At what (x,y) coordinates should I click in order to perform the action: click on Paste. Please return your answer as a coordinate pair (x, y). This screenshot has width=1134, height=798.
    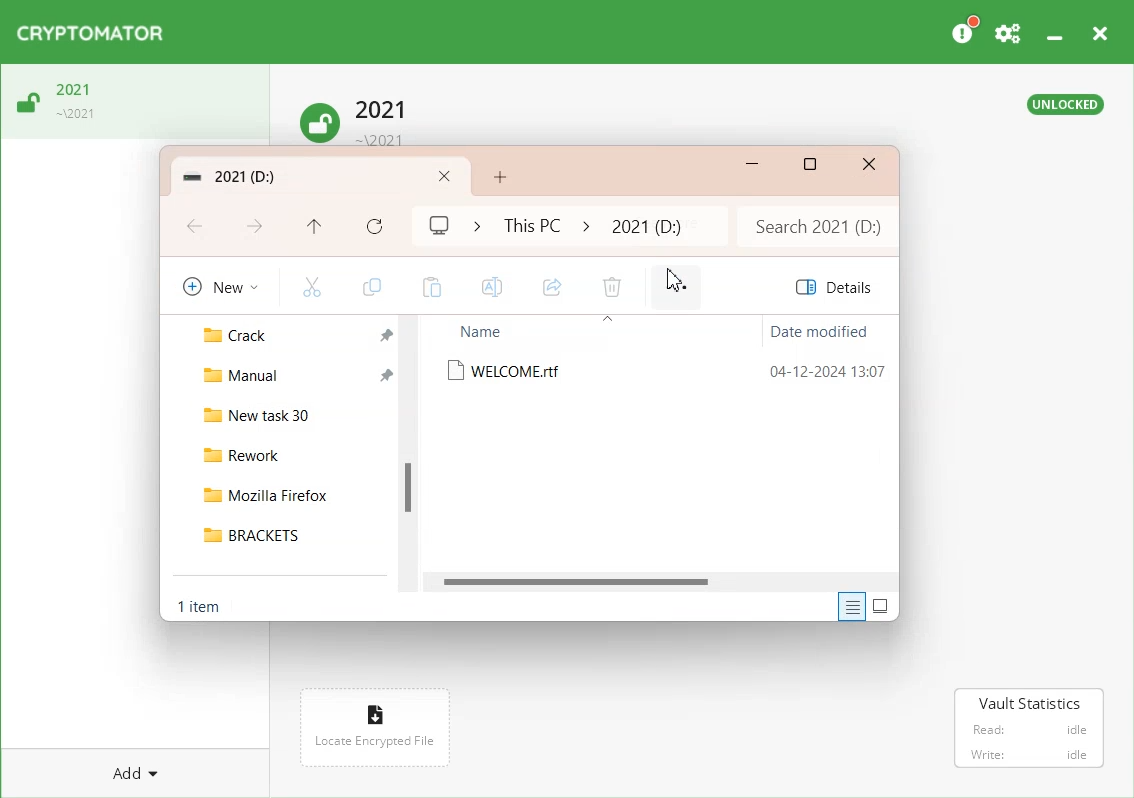
    Looking at the image, I should click on (432, 286).